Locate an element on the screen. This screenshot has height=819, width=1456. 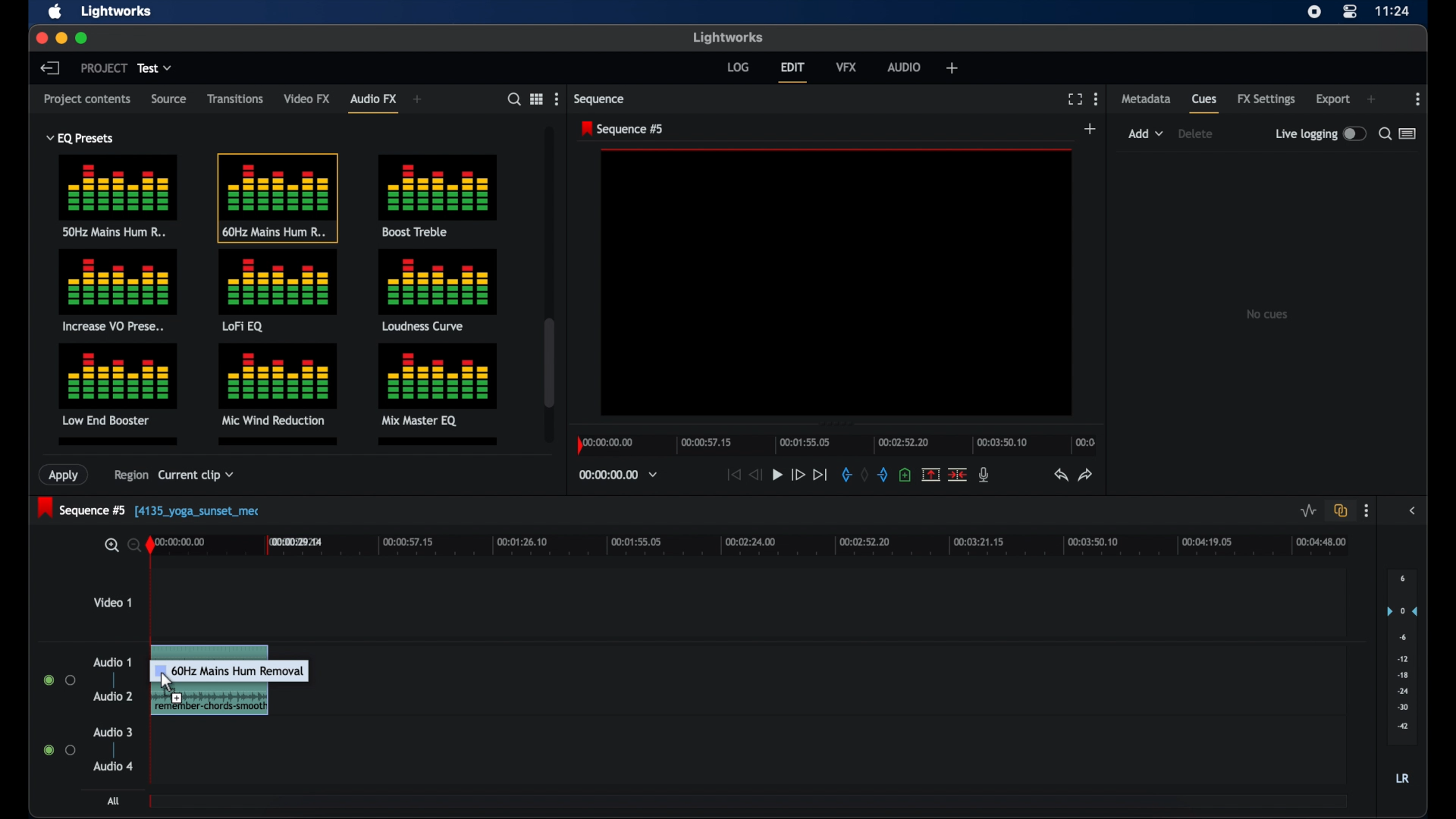
video preview is located at coordinates (837, 283).